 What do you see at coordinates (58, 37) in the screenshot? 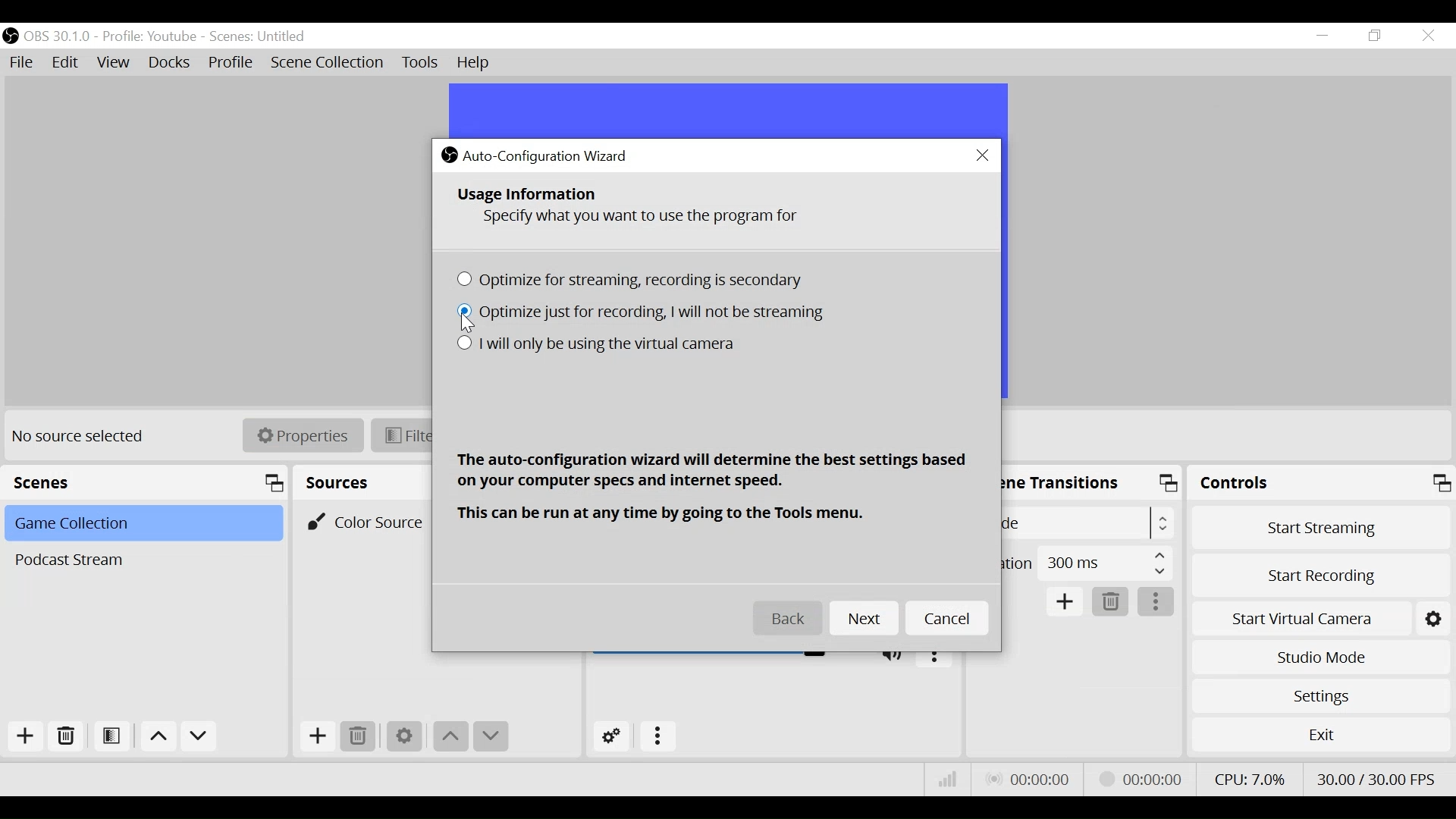
I see `OBS Version` at bounding box center [58, 37].